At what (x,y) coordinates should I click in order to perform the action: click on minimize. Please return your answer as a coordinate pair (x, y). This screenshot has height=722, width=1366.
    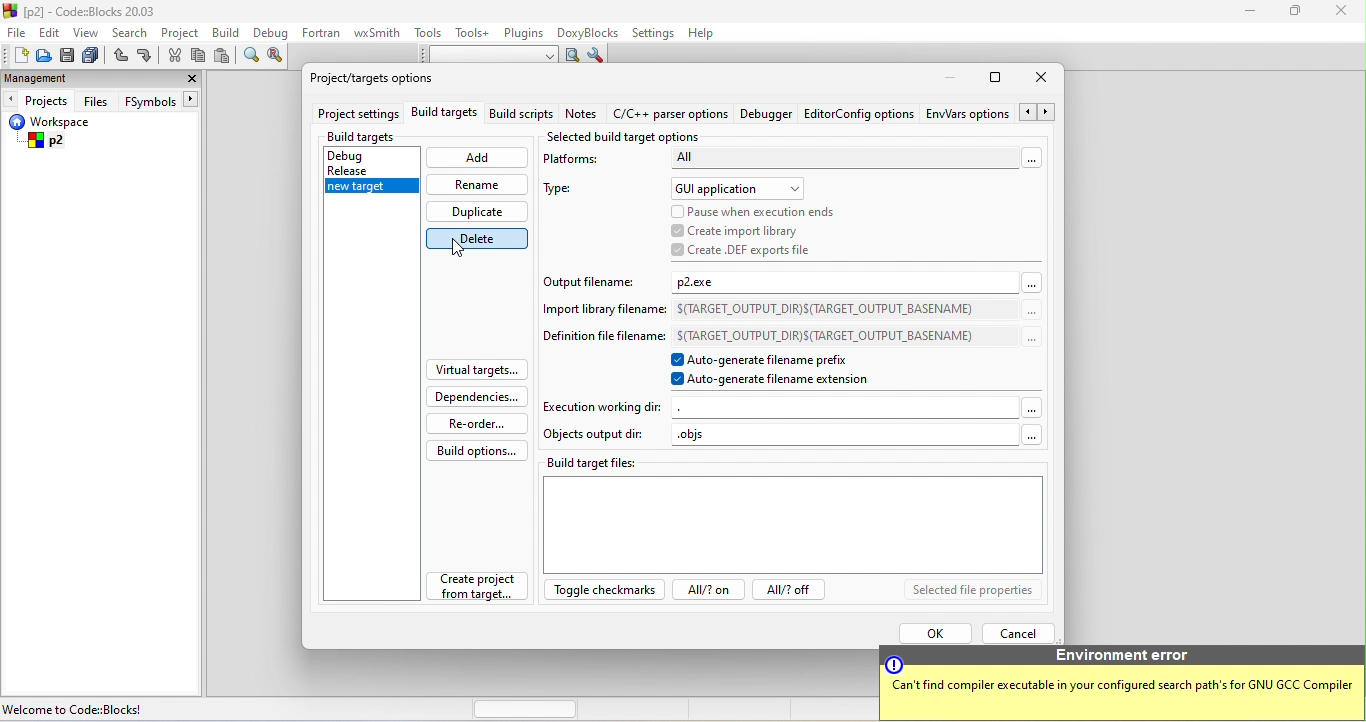
    Looking at the image, I should click on (955, 78).